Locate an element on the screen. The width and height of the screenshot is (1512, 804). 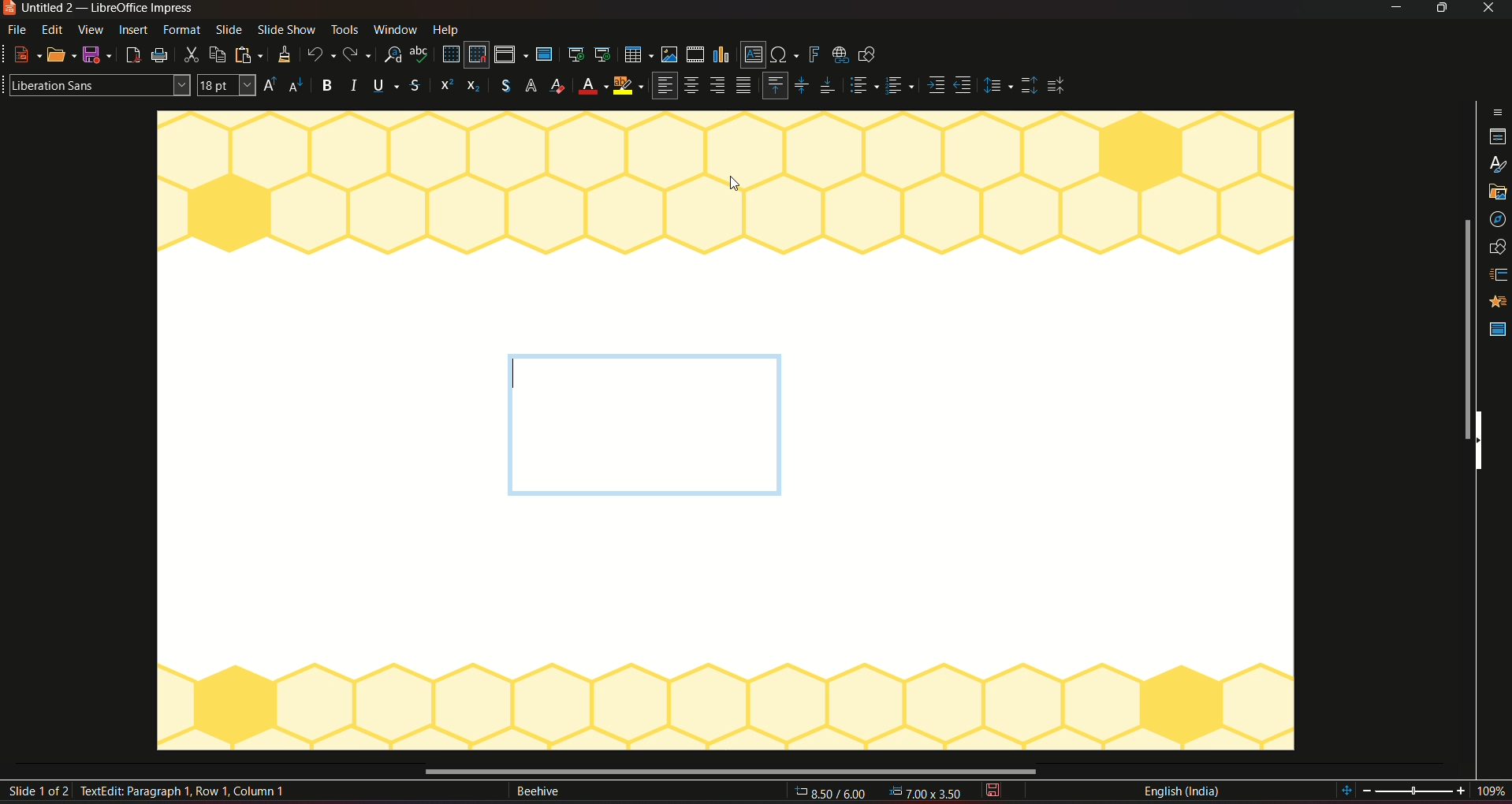
export as pdf is located at coordinates (132, 55).